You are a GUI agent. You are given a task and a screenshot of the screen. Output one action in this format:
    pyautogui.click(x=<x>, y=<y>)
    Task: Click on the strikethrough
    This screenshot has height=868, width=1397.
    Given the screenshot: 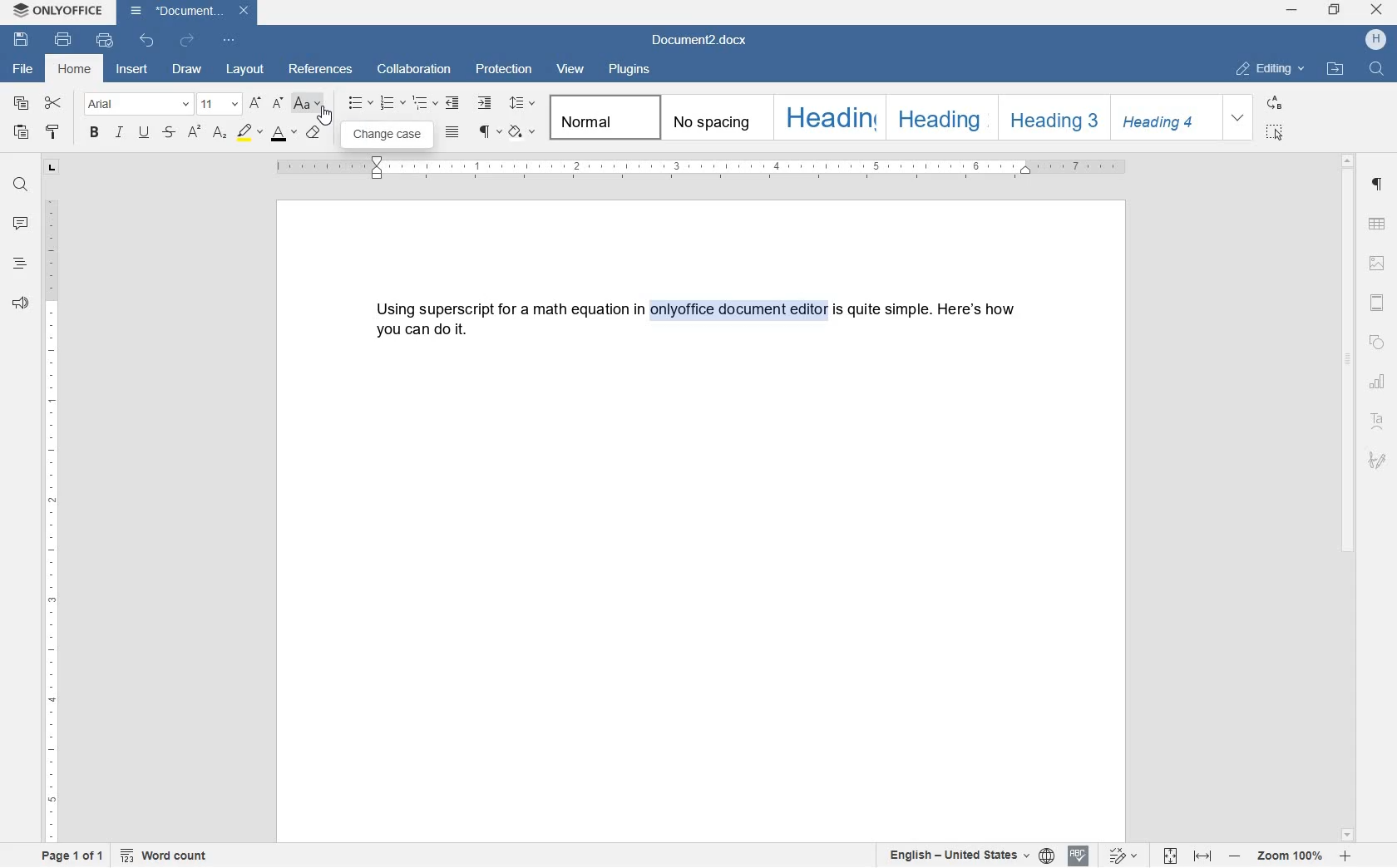 What is the action you would take?
    pyautogui.click(x=169, y=133)
    